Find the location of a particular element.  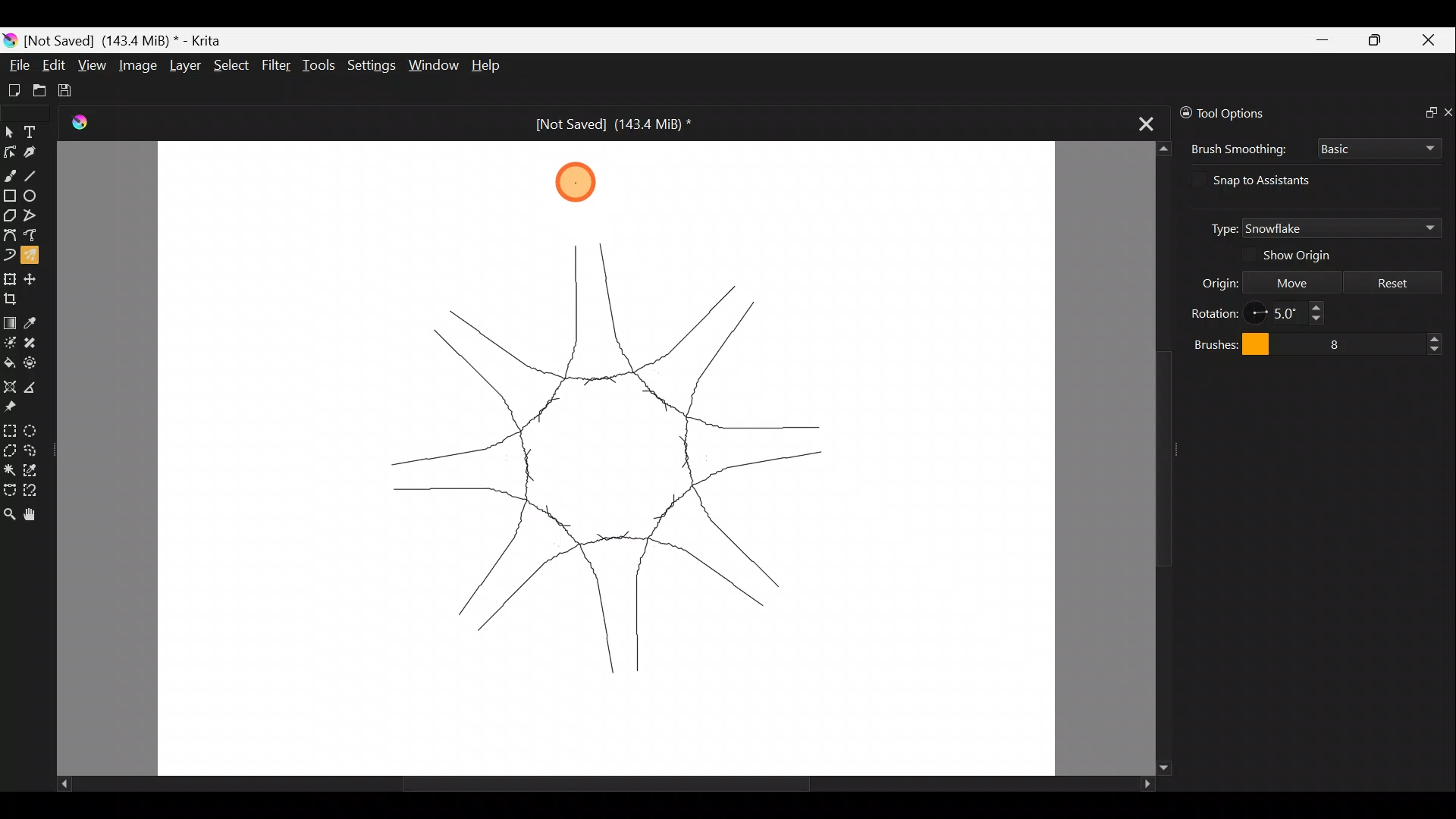

Text tool is located at coordinates (33, 132).